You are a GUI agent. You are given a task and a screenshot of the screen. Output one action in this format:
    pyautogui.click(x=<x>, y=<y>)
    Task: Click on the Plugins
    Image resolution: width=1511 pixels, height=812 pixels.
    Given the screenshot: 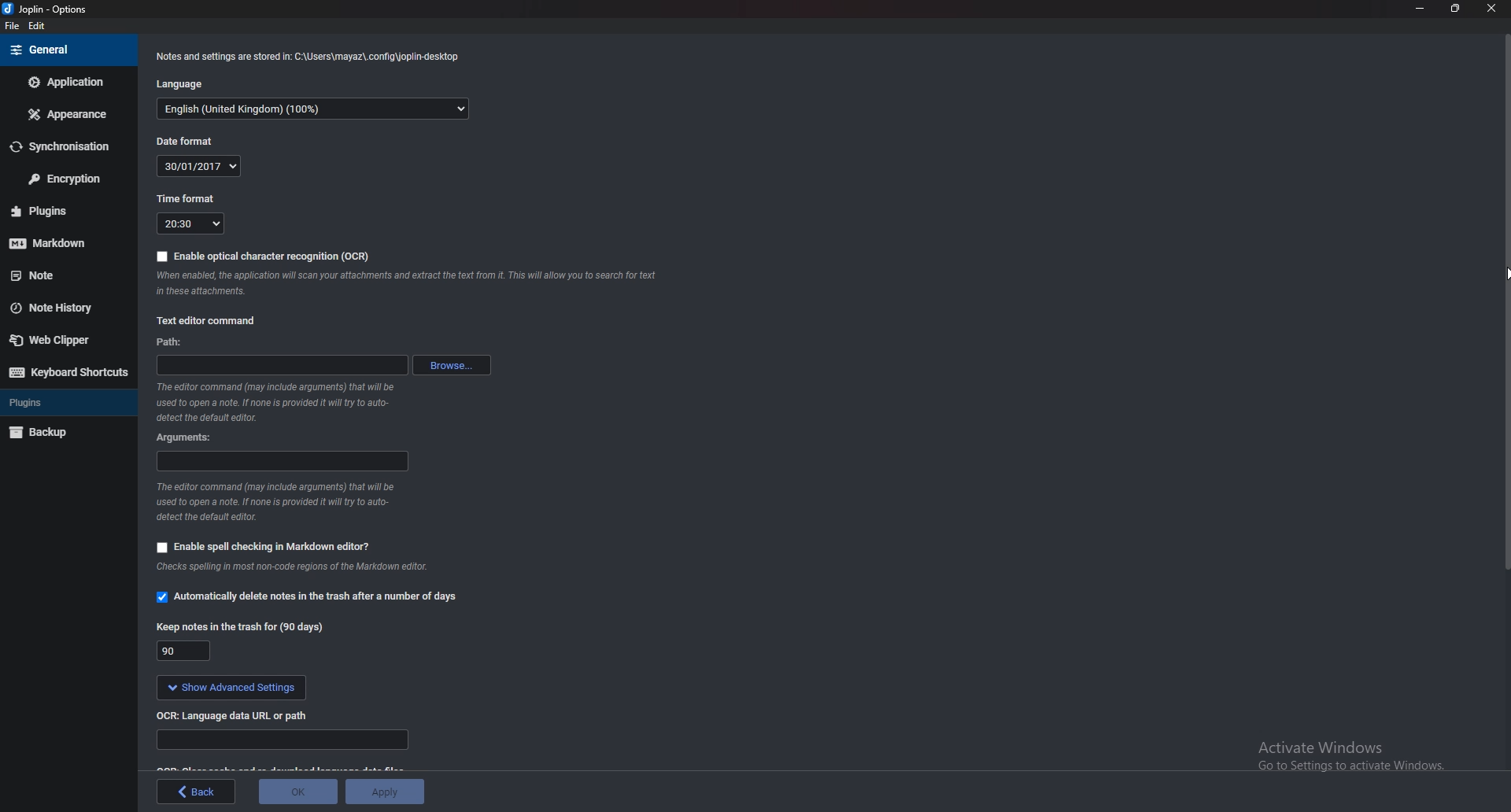 What is the action you would take?
    pyautogui.click(x=60, y=404)
    